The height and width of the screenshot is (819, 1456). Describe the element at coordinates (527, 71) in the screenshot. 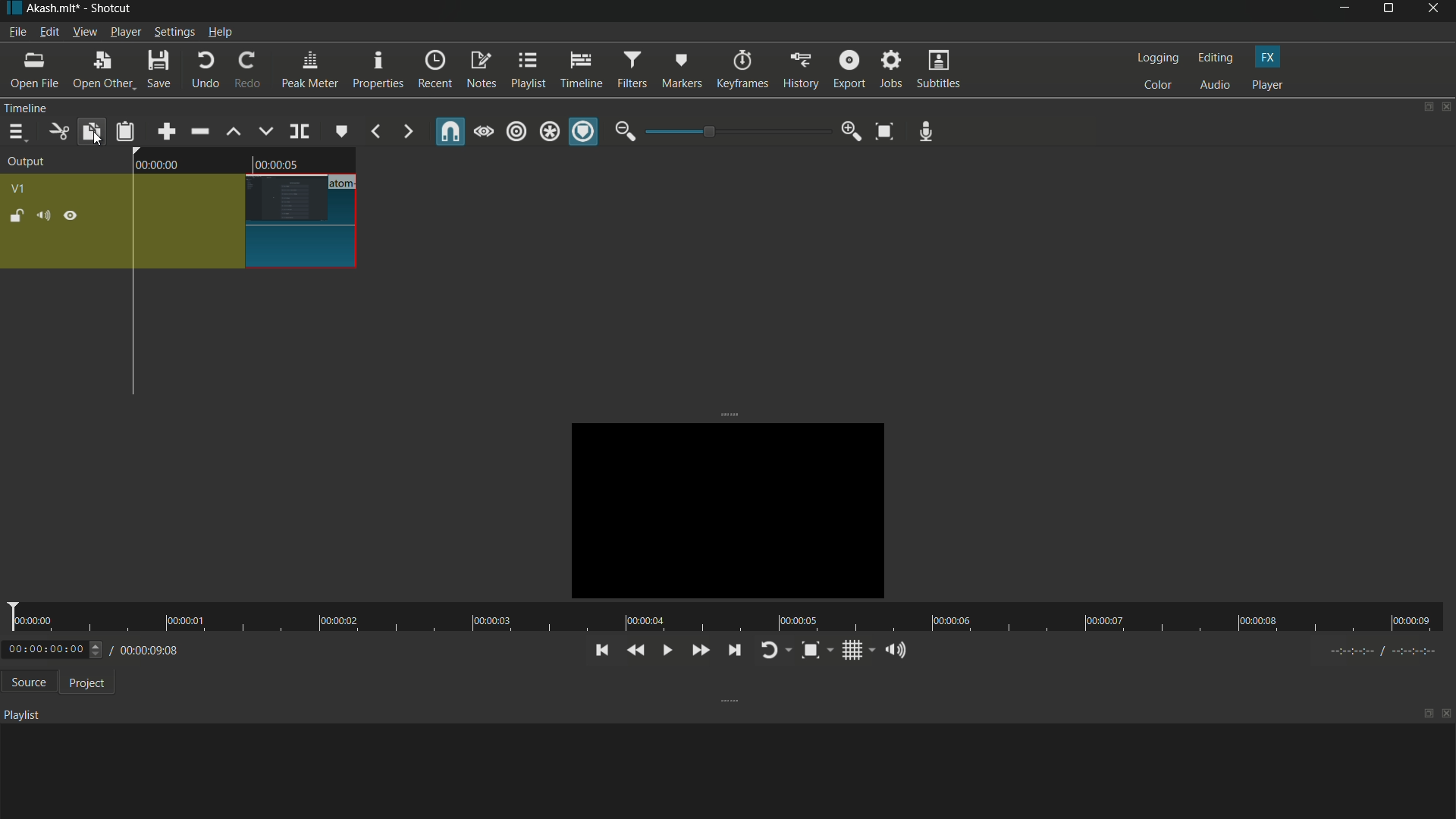

I see `playlist` at that location.